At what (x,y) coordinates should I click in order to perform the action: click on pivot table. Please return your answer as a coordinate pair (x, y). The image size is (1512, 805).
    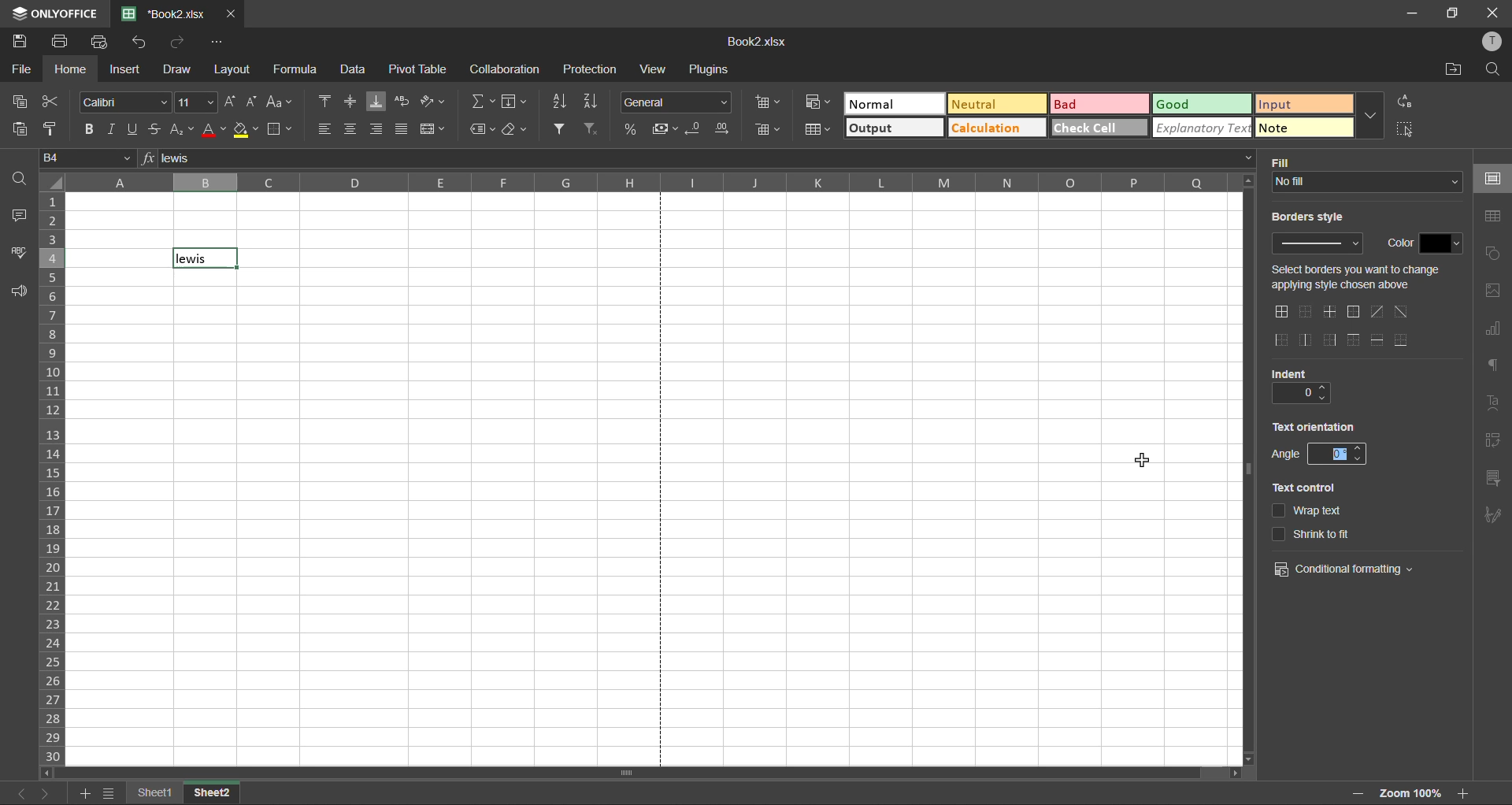
    Looking at the image, I should click on (1497, 443).